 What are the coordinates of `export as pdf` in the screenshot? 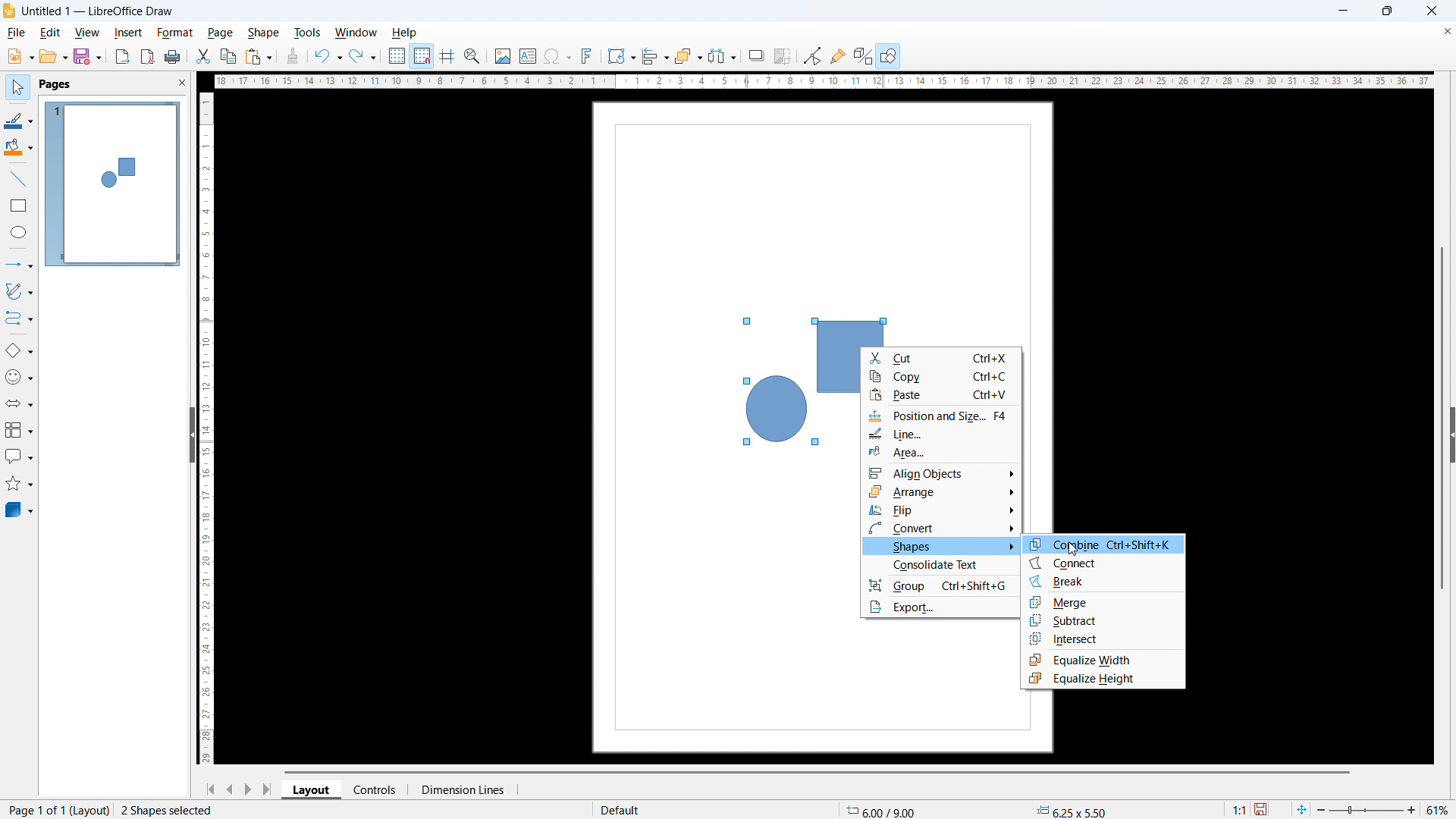 It's located at (148, 57).